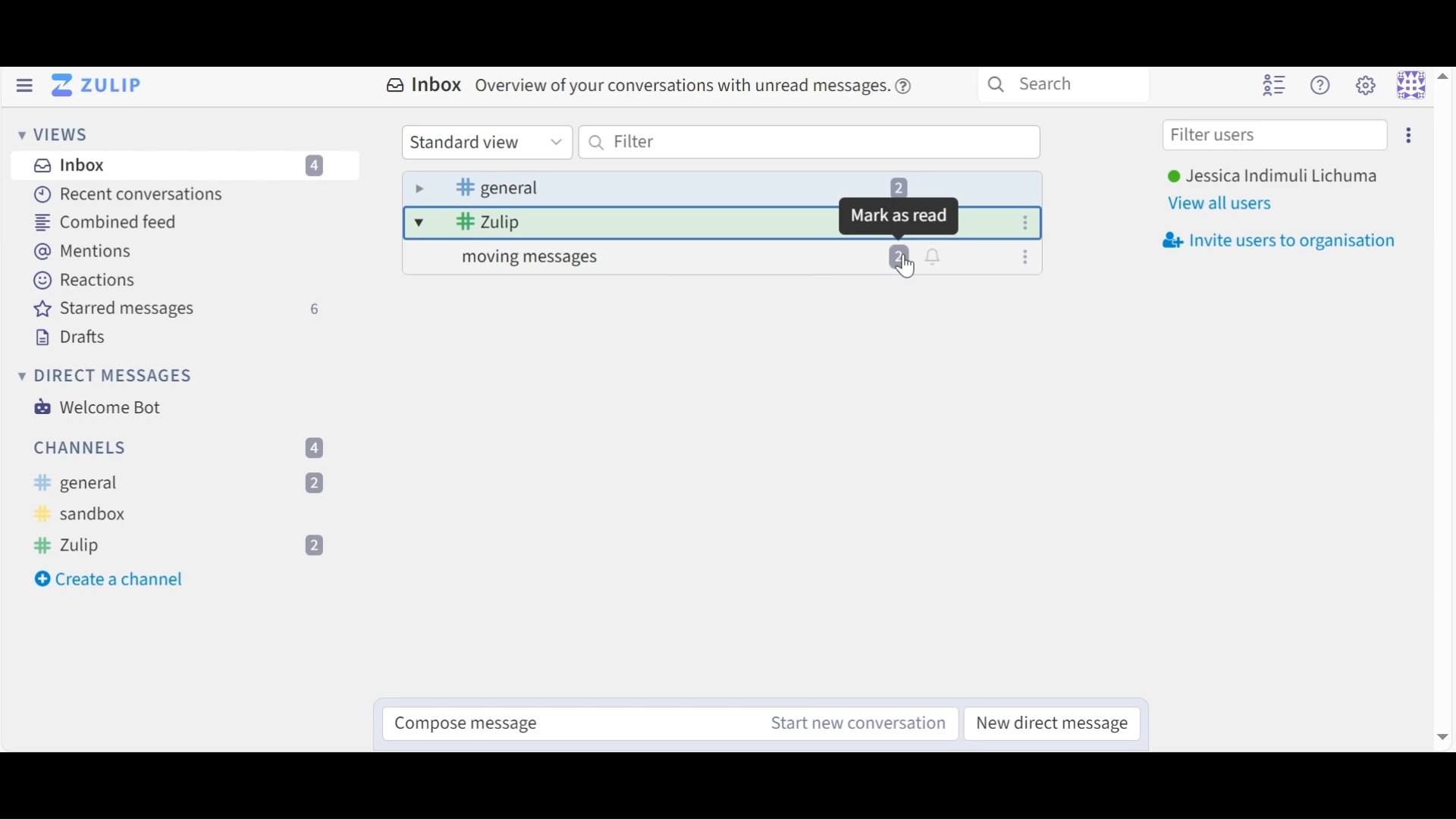 This screenshot has width=1456, height=819. Describe the element at coordinates (96, 514) in the screenshot. I see `Sandbox` at that location.